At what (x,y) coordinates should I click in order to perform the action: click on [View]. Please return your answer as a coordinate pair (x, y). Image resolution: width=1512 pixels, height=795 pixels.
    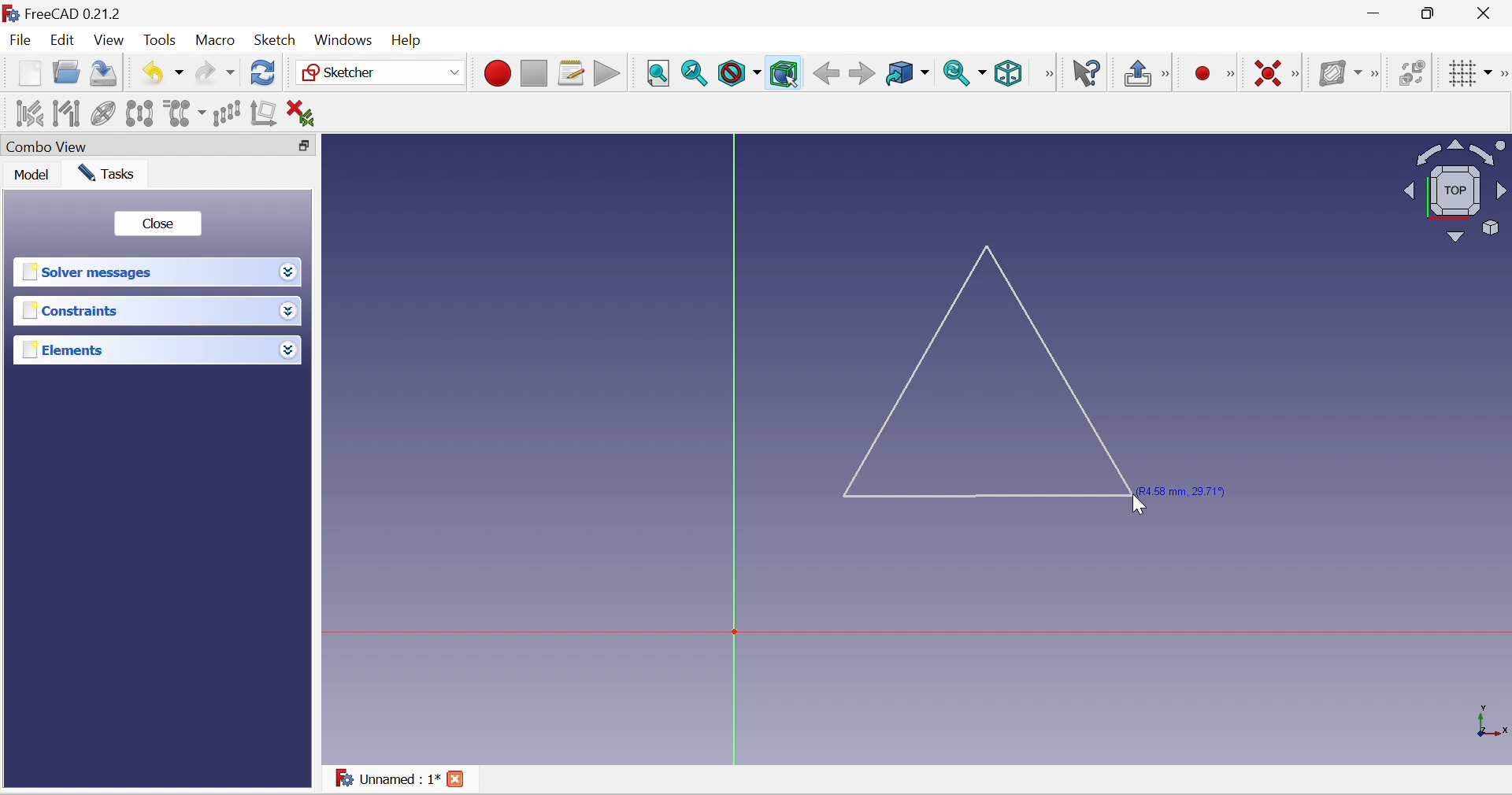
    Looking at the image, I should click on (1044, 72).